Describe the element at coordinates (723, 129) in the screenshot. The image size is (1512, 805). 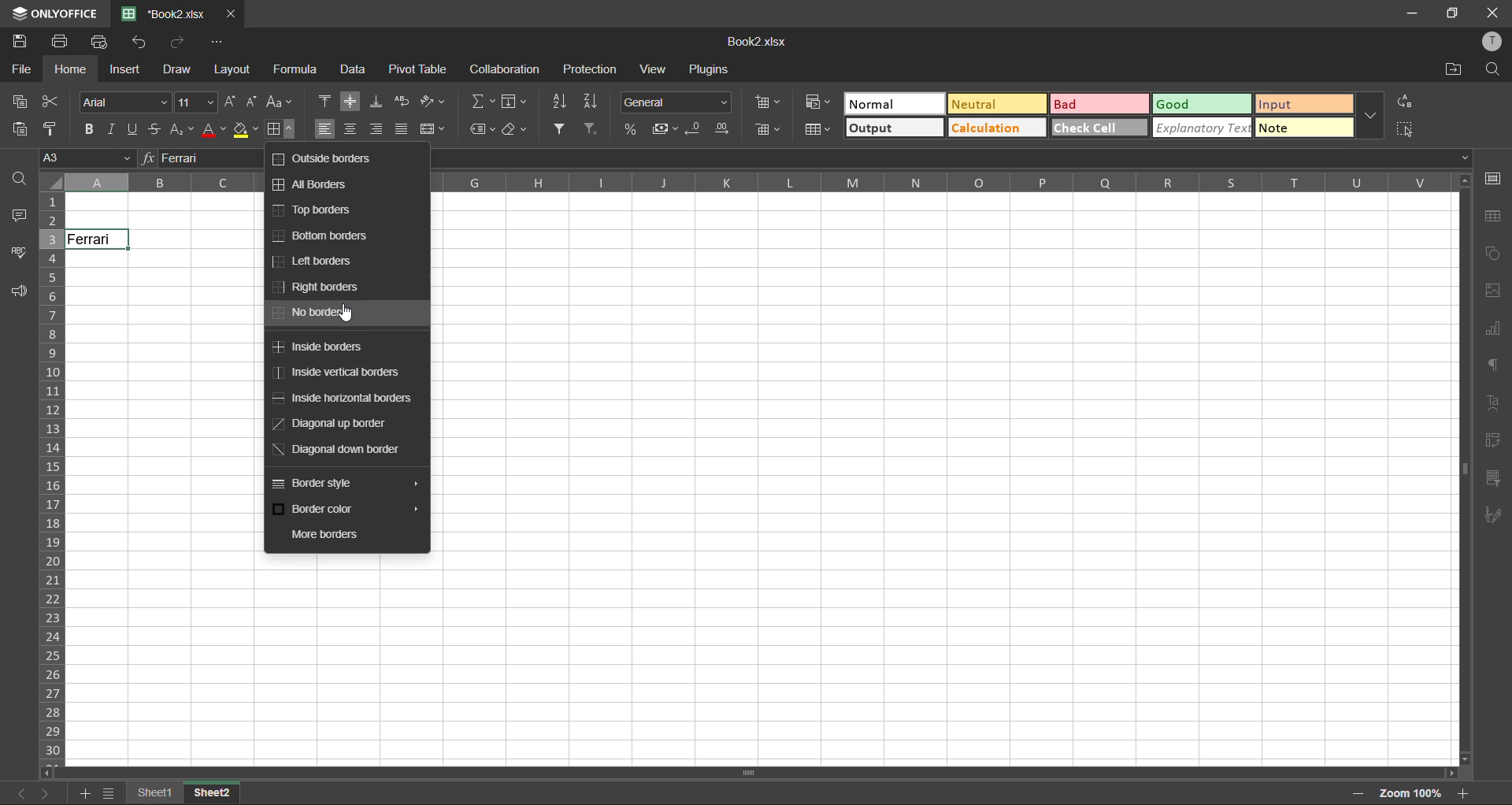
I see `increase decimal` at that location.